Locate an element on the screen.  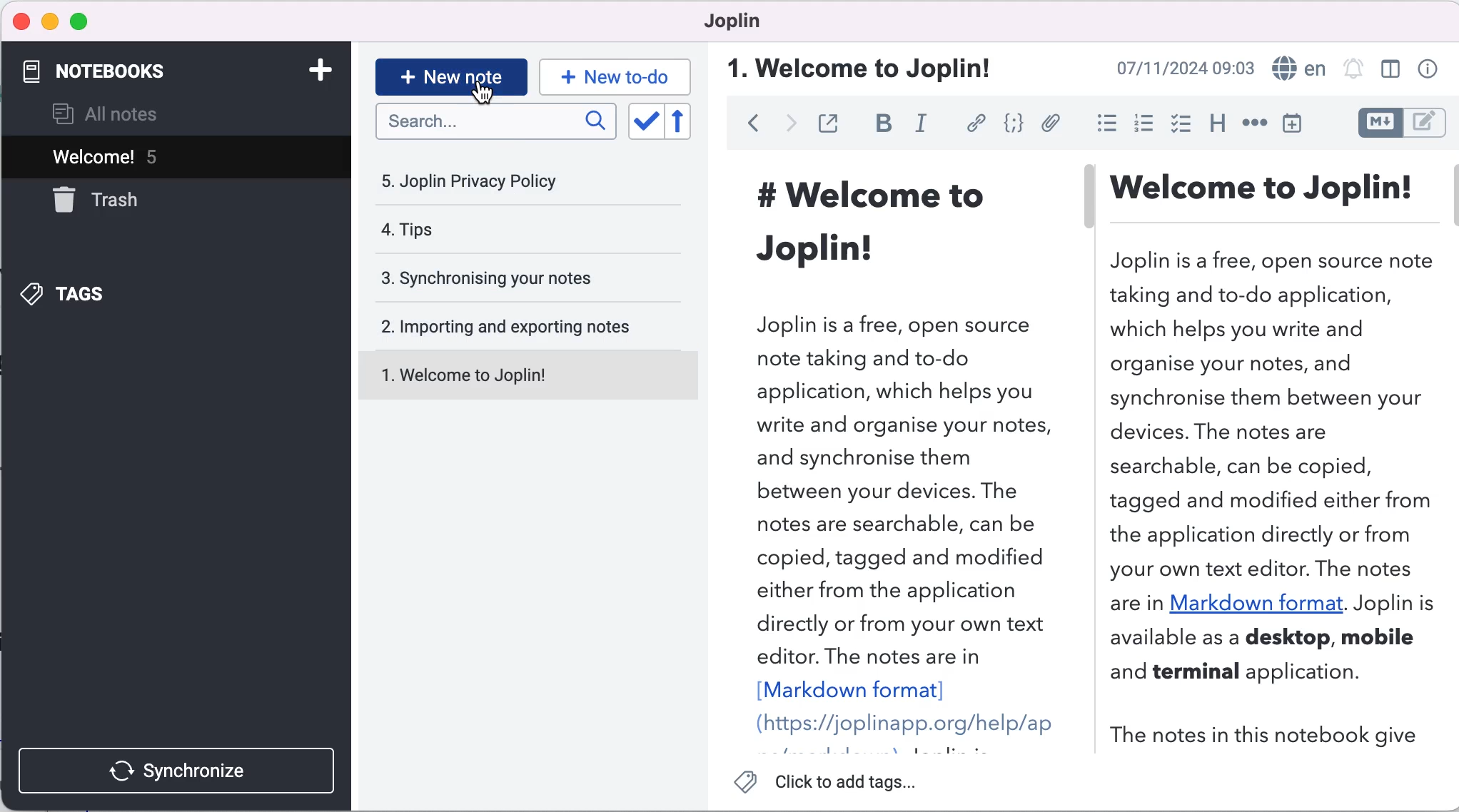
check box is located at coordinates (1177, 123).